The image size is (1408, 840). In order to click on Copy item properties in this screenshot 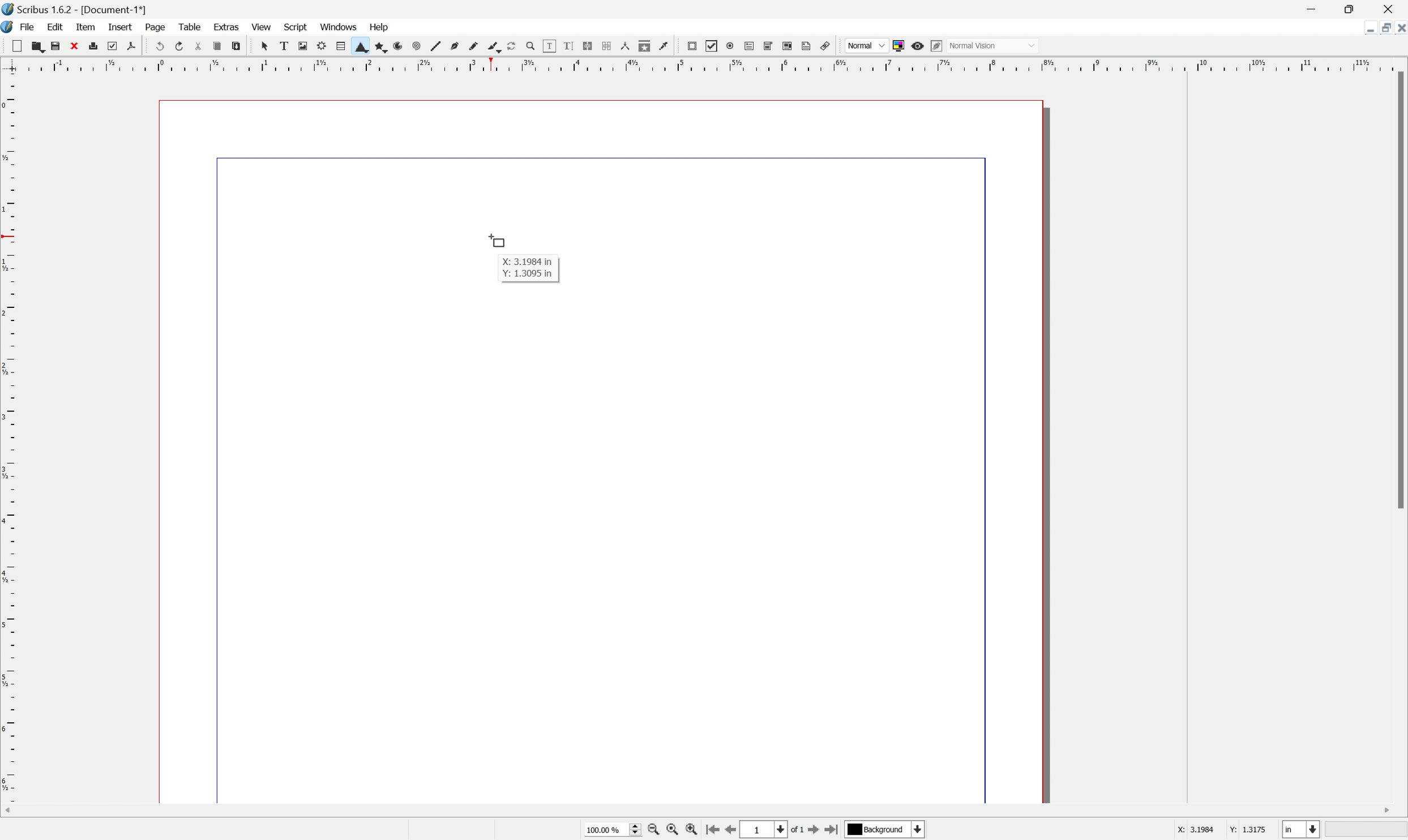, I will do `click(645, 47)`.